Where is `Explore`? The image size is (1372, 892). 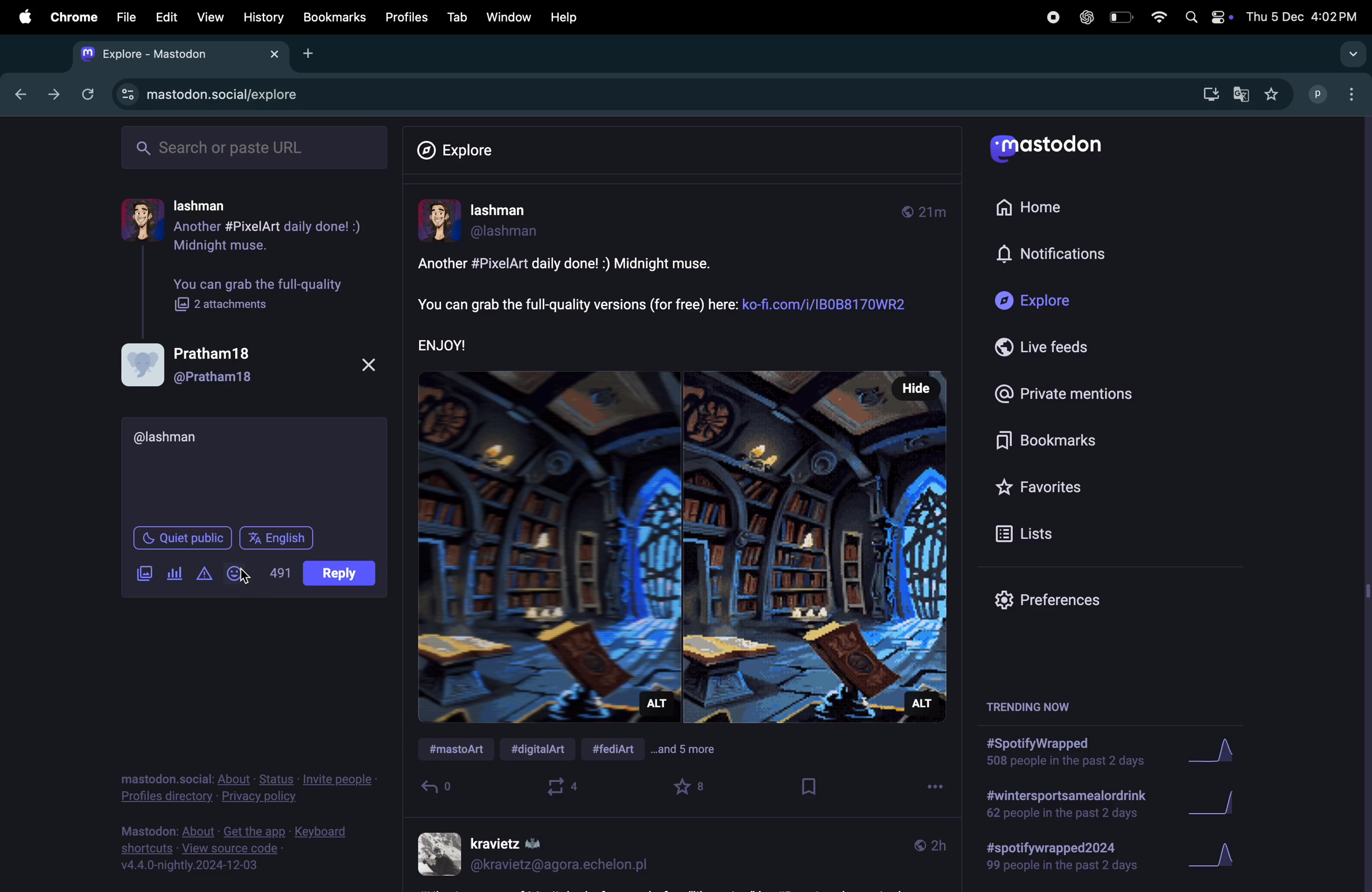
Explore is located at coordinates (1063, 304).